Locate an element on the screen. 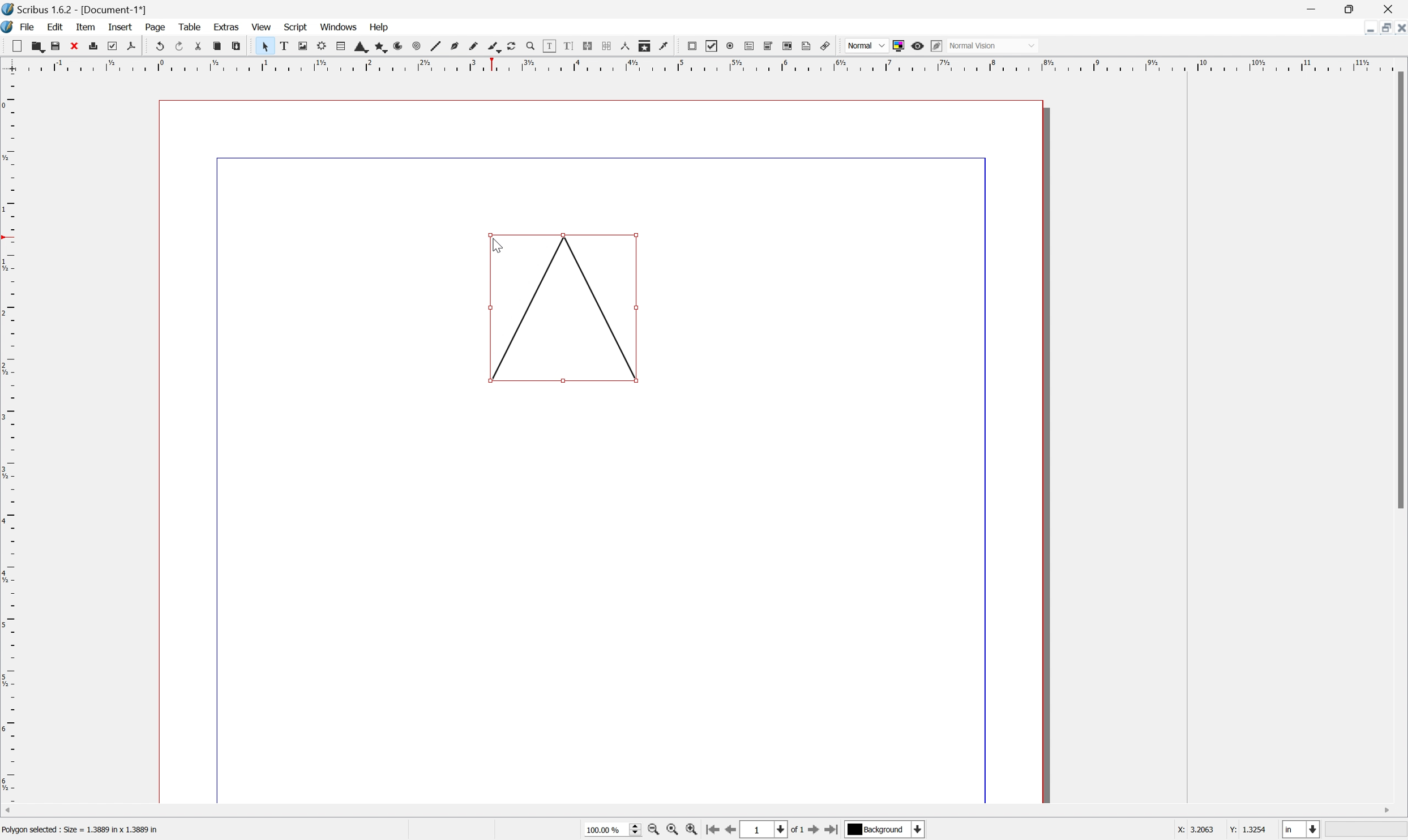 This screenshot has height=840, width=1408. Arc is located at coordinates (395, 46).